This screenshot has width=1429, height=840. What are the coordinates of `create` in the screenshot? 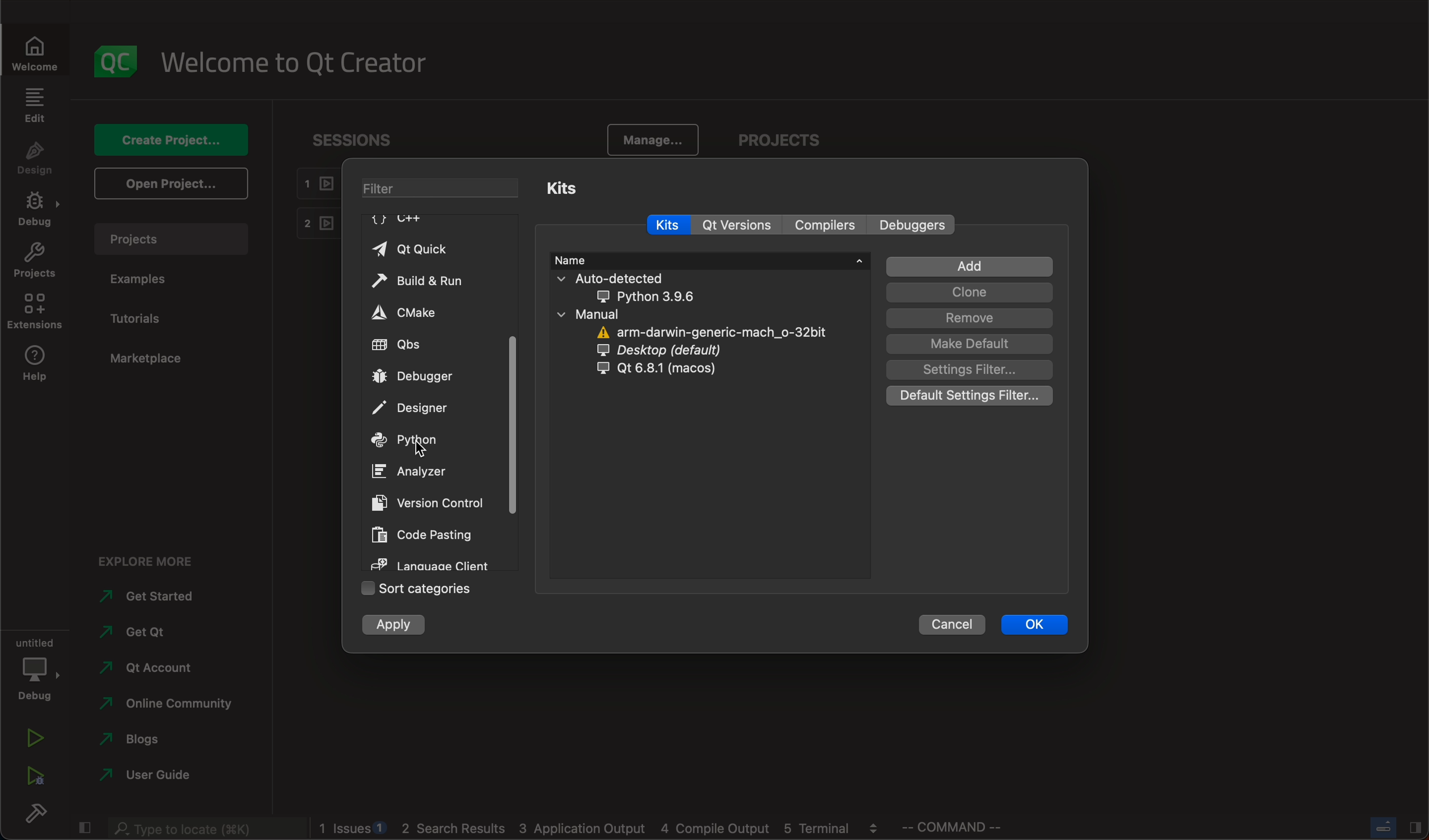 It's located at (168, 139).